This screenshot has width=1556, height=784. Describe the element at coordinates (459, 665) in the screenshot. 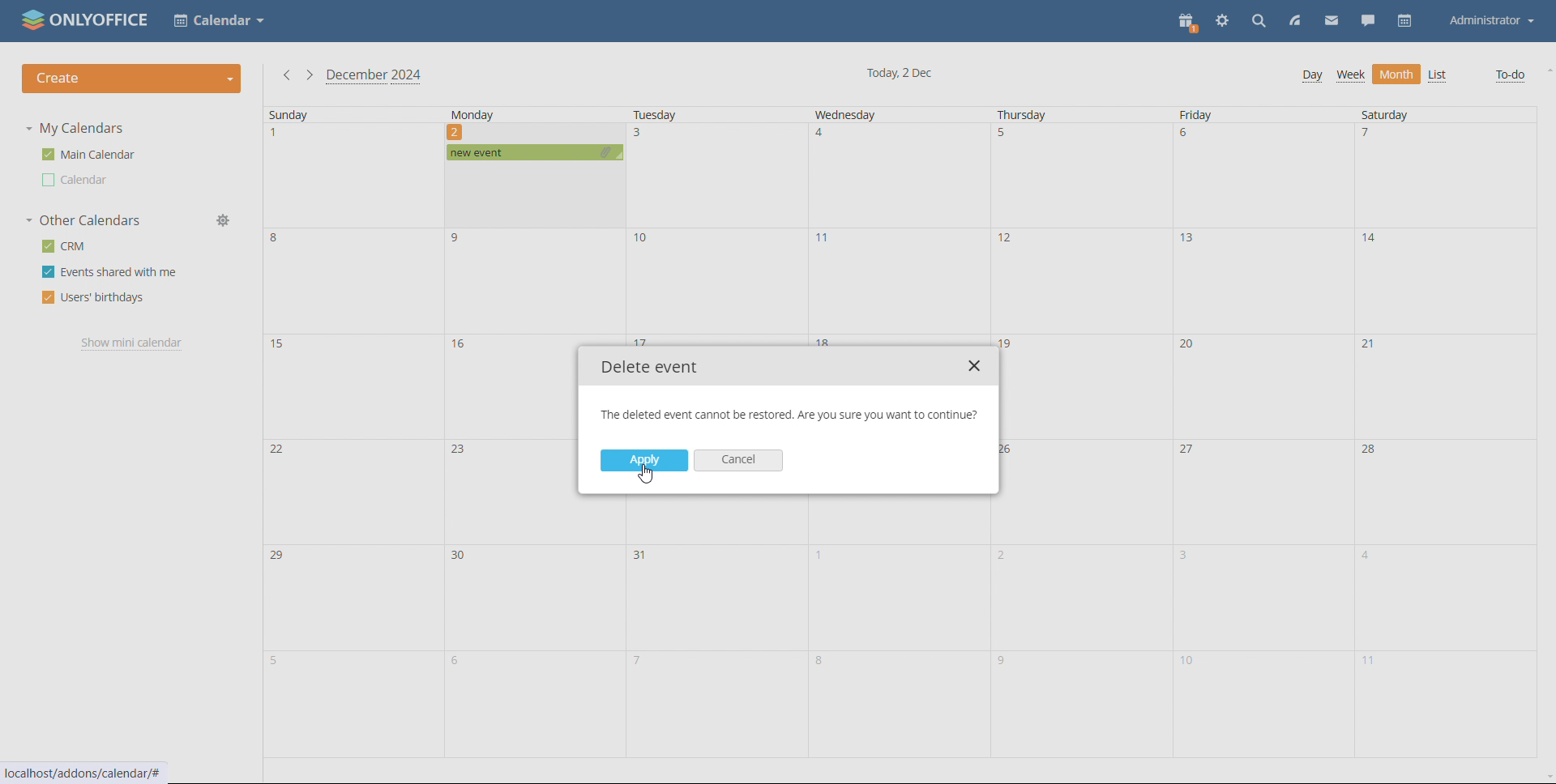

I see `6` at that location.